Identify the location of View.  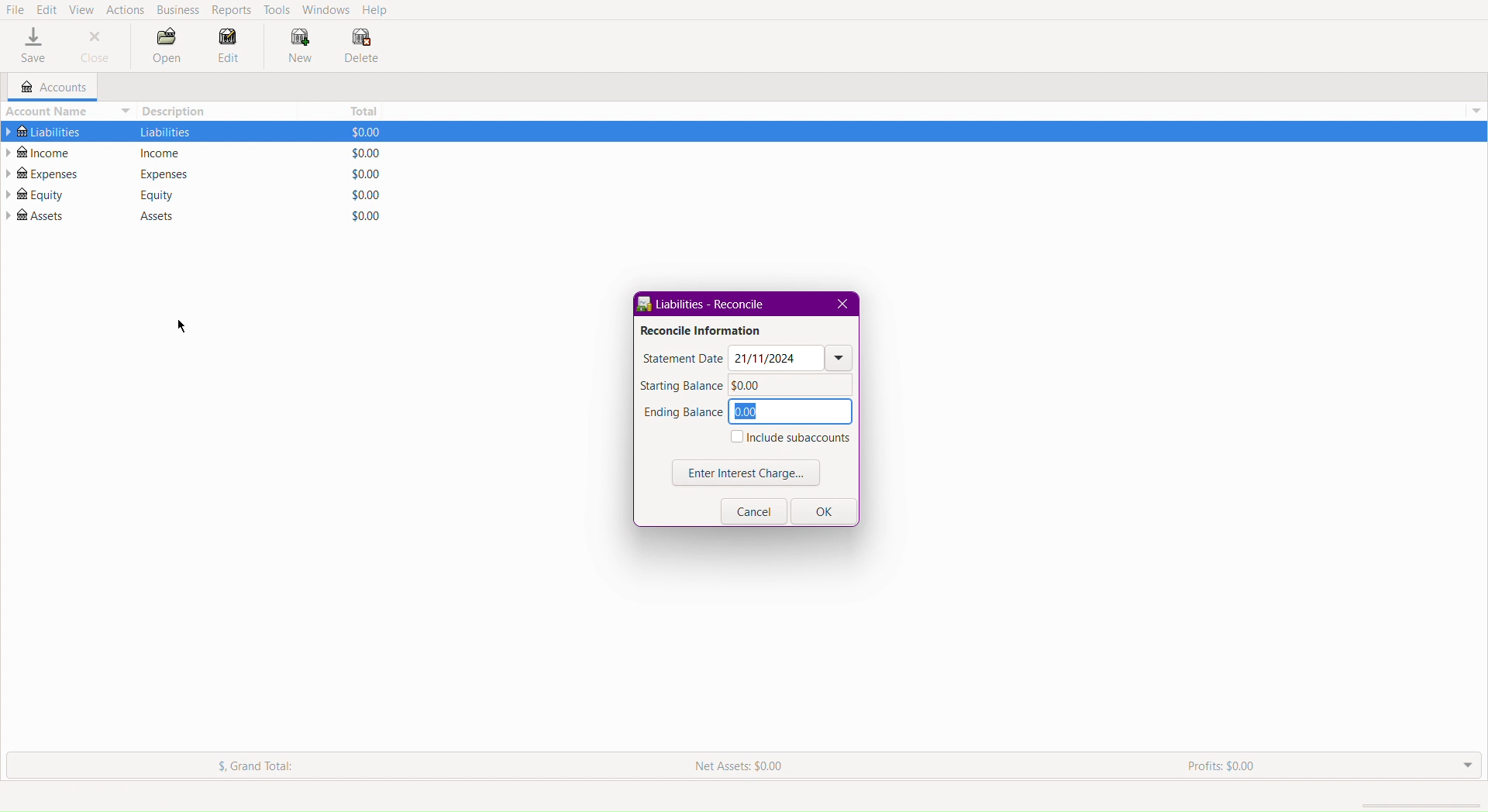
(83, 9).